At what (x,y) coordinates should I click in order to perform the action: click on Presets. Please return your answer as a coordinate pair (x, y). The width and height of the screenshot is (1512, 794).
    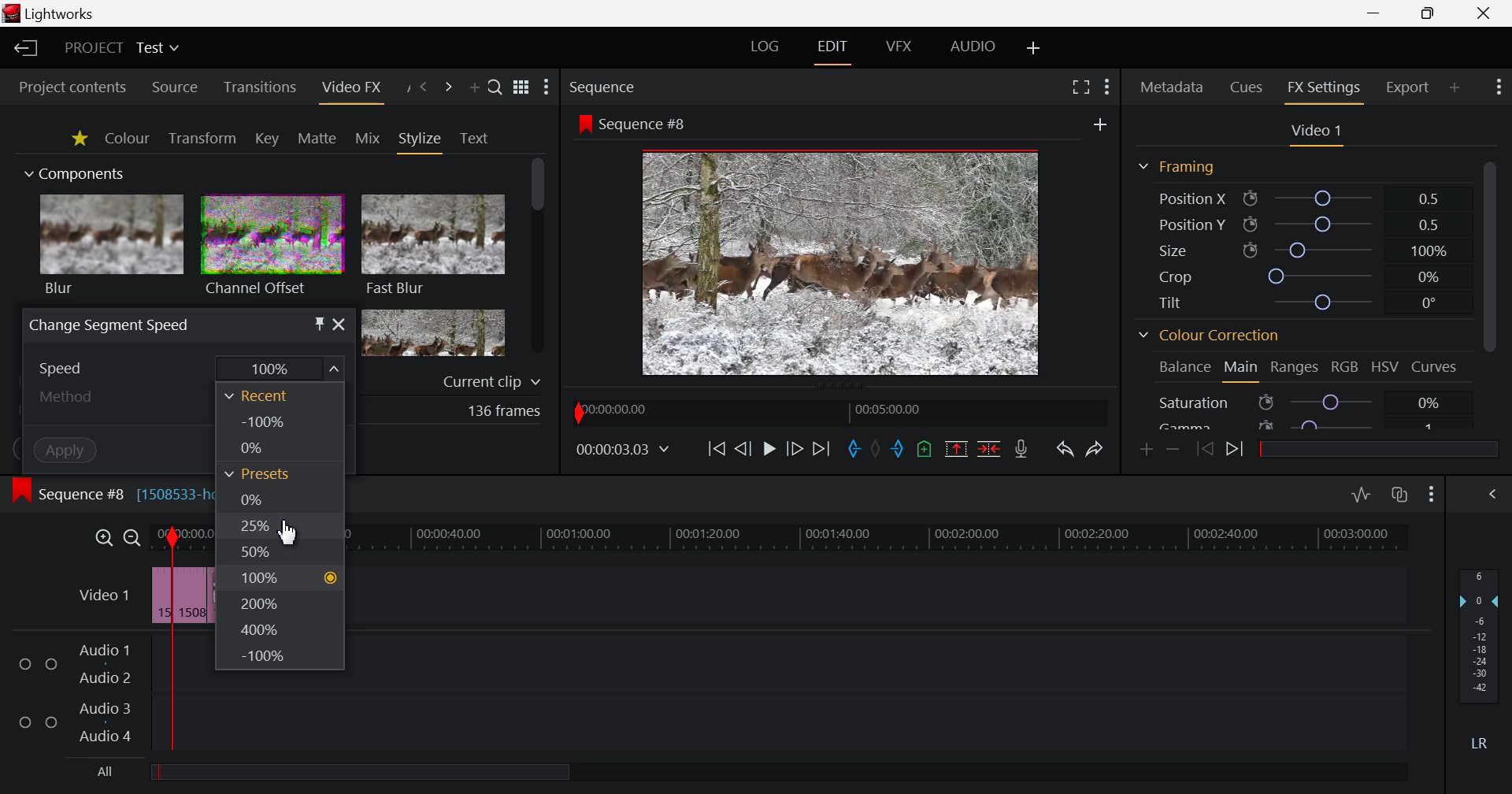
    Looking at the image, I should click on (279, 478).